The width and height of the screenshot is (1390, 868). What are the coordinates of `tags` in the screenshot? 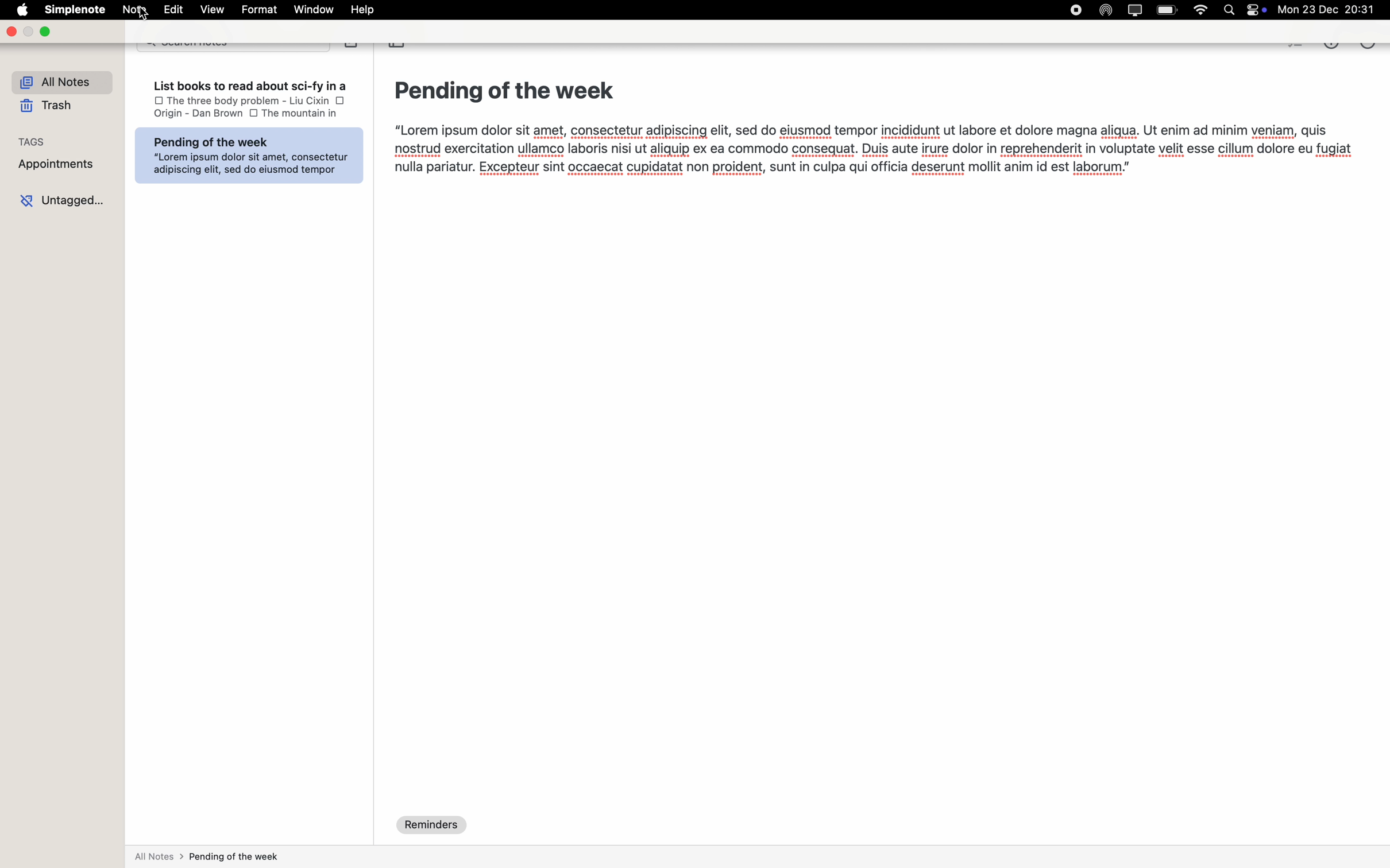 It's located at (36, 144).